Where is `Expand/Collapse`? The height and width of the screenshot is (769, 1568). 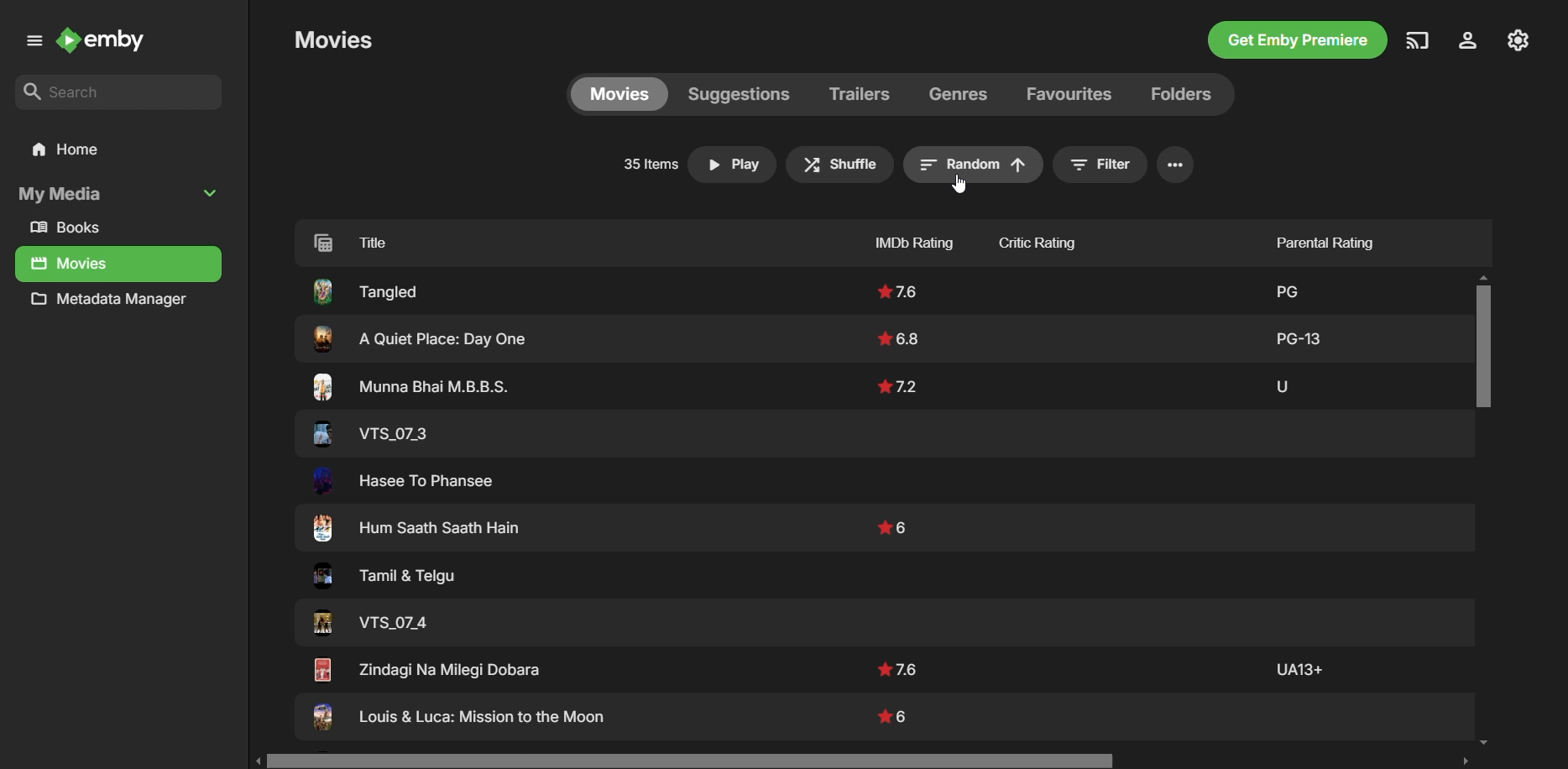
Expand/Collapse is located at coordinates (213, 192).